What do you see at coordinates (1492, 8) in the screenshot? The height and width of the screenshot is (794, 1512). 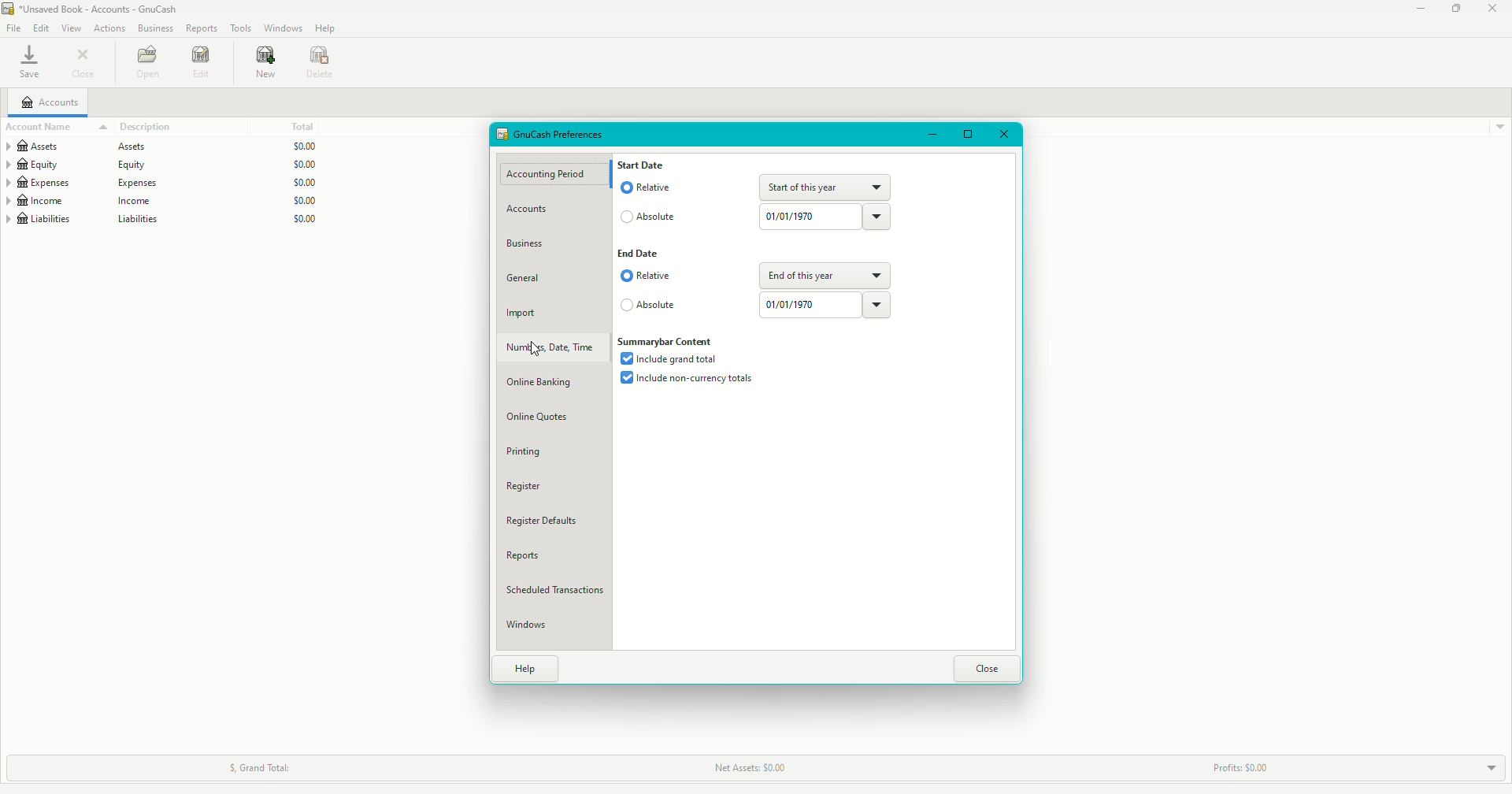 I see `Close` at bounding box center [1492, 8].